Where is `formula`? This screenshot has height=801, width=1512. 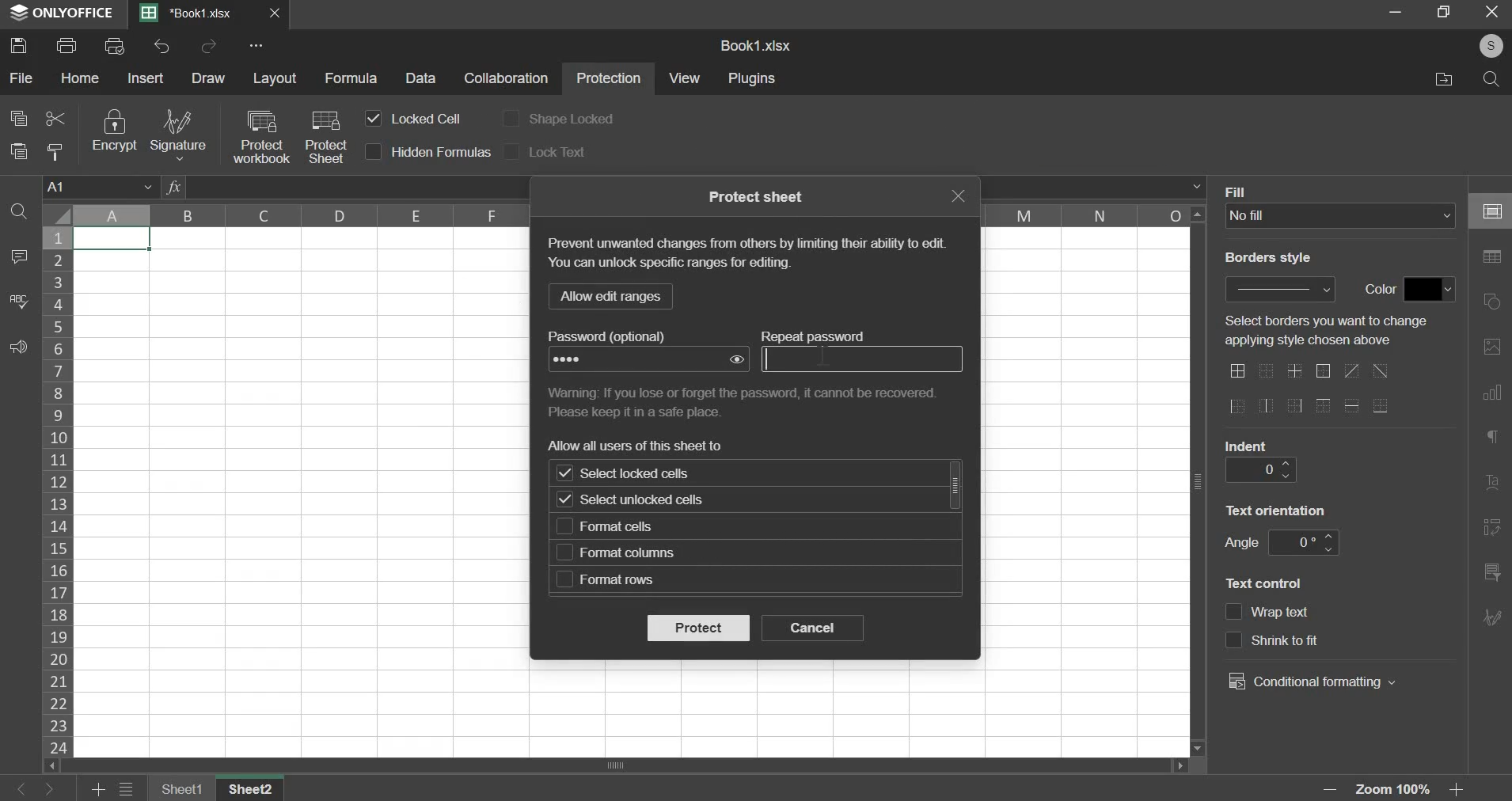 formula is located at coordinates (351, 78).